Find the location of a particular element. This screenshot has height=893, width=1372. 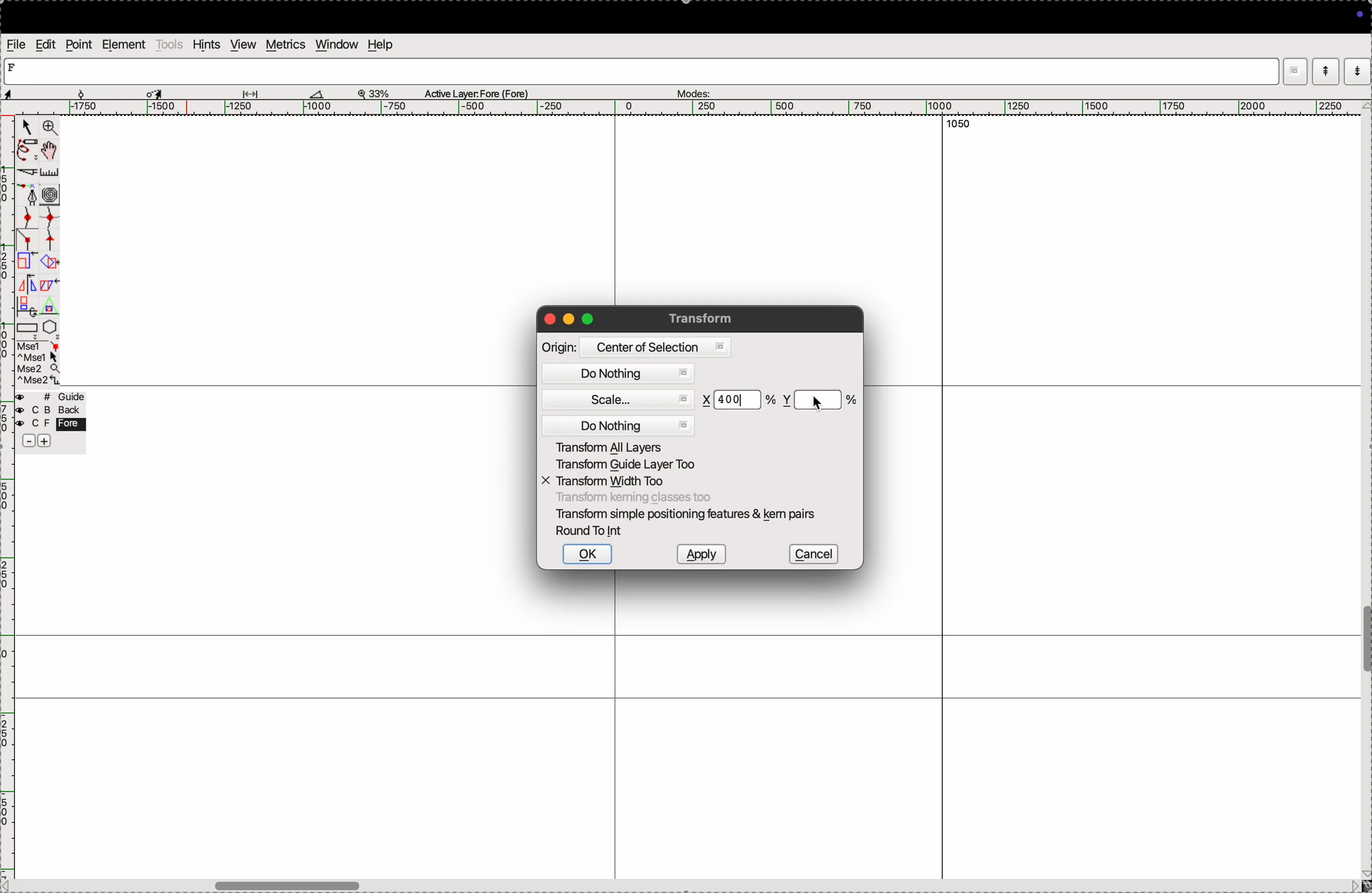

duplicate is located at coordinates (24, 307).